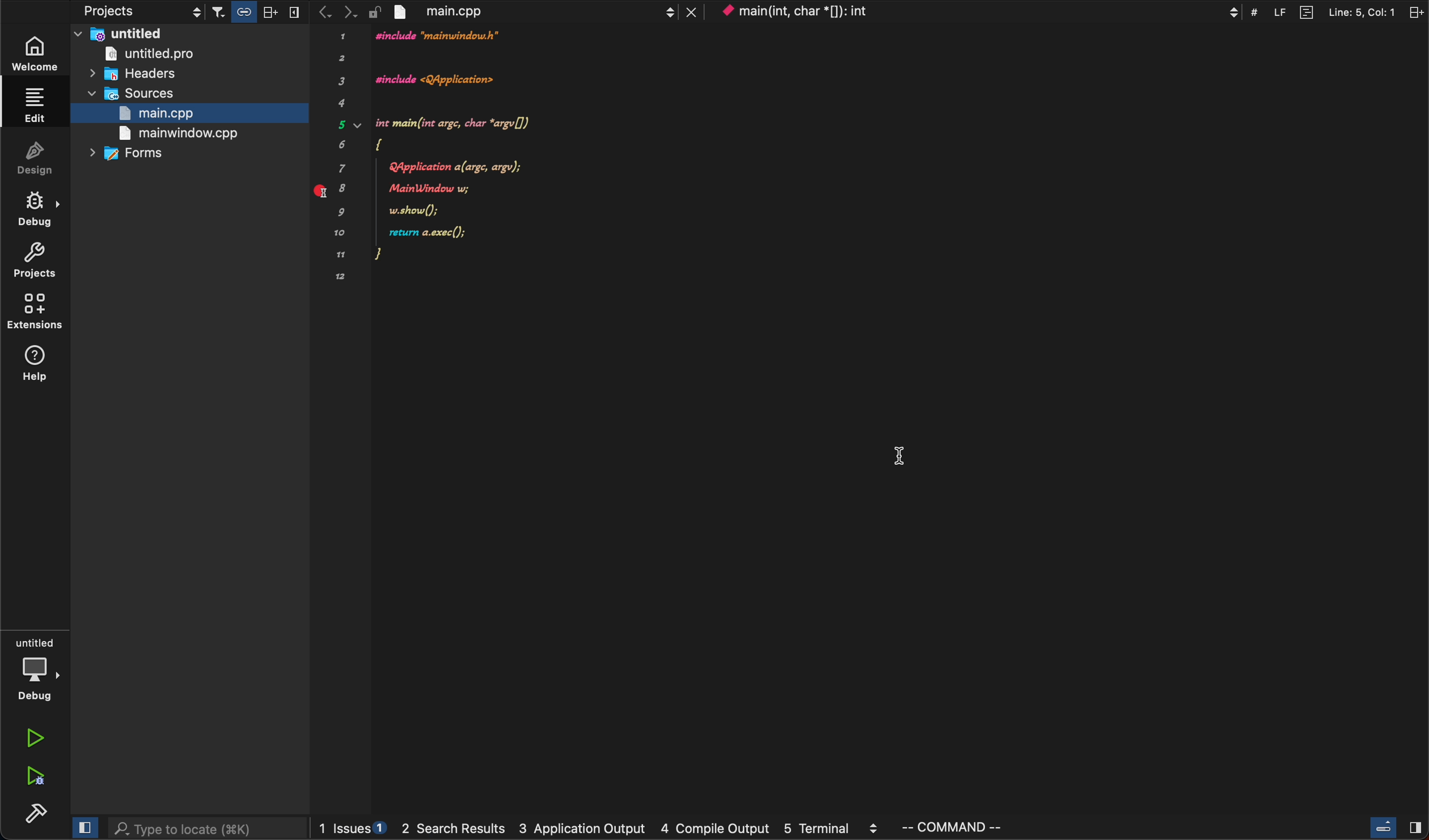 The image size is (1429, 840). Describe the element at coordinates (35, 313) in the screenshot. I see `extentions` at that location.